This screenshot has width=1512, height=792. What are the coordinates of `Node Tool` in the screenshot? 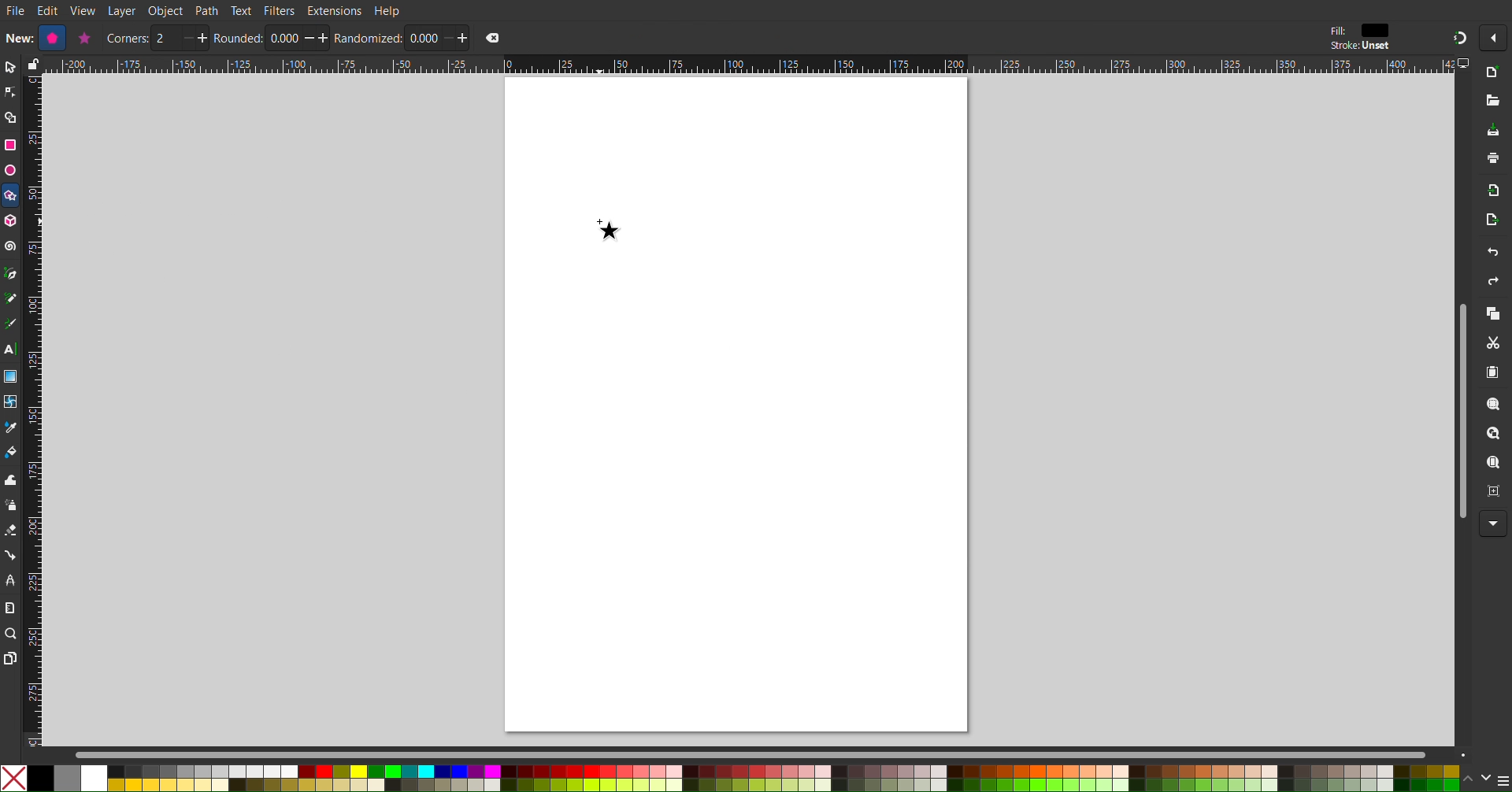 It's located at (10, 93).